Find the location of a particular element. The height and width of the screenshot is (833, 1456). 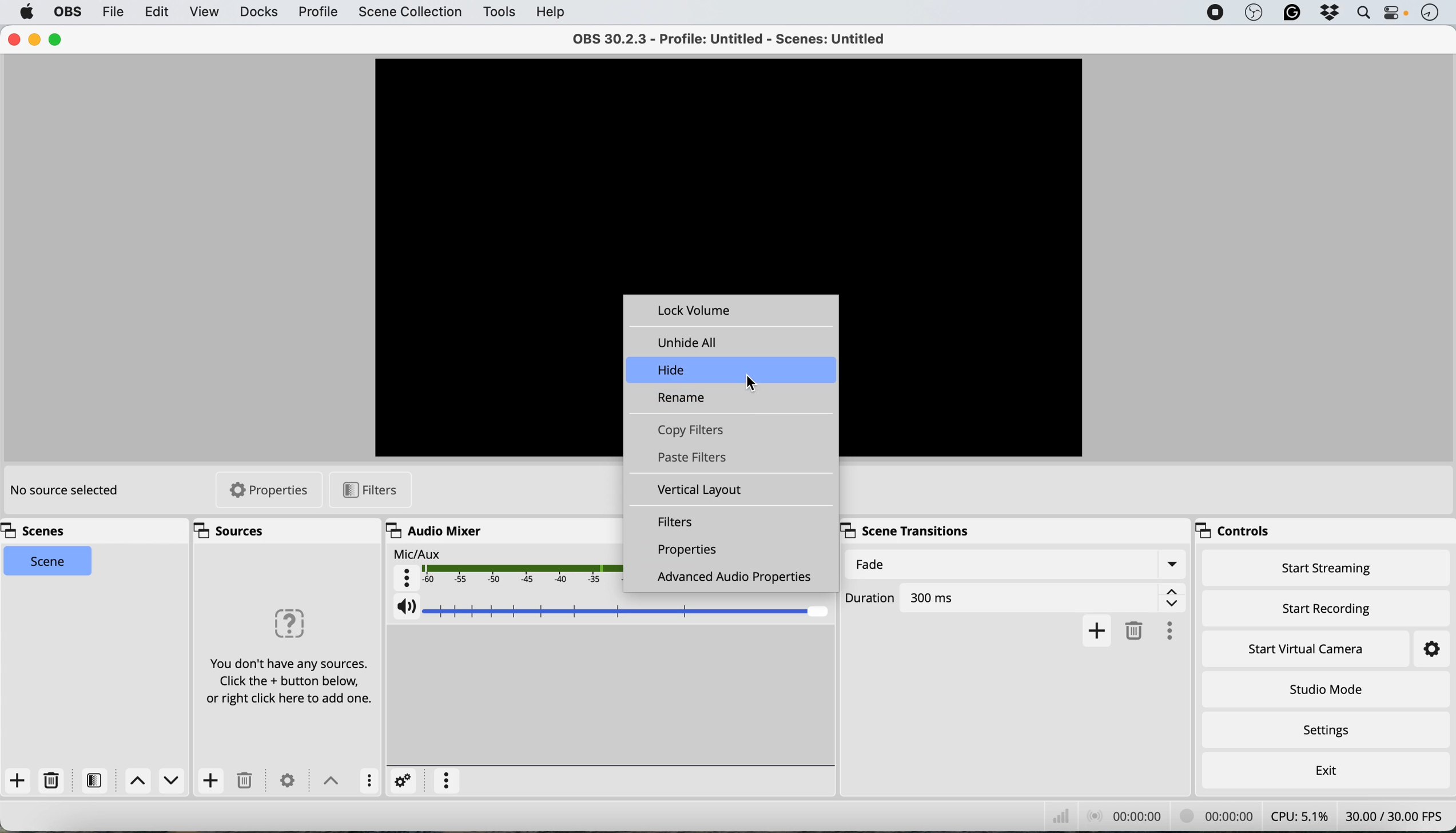

studio mode is located at coordinates (1323, 689).